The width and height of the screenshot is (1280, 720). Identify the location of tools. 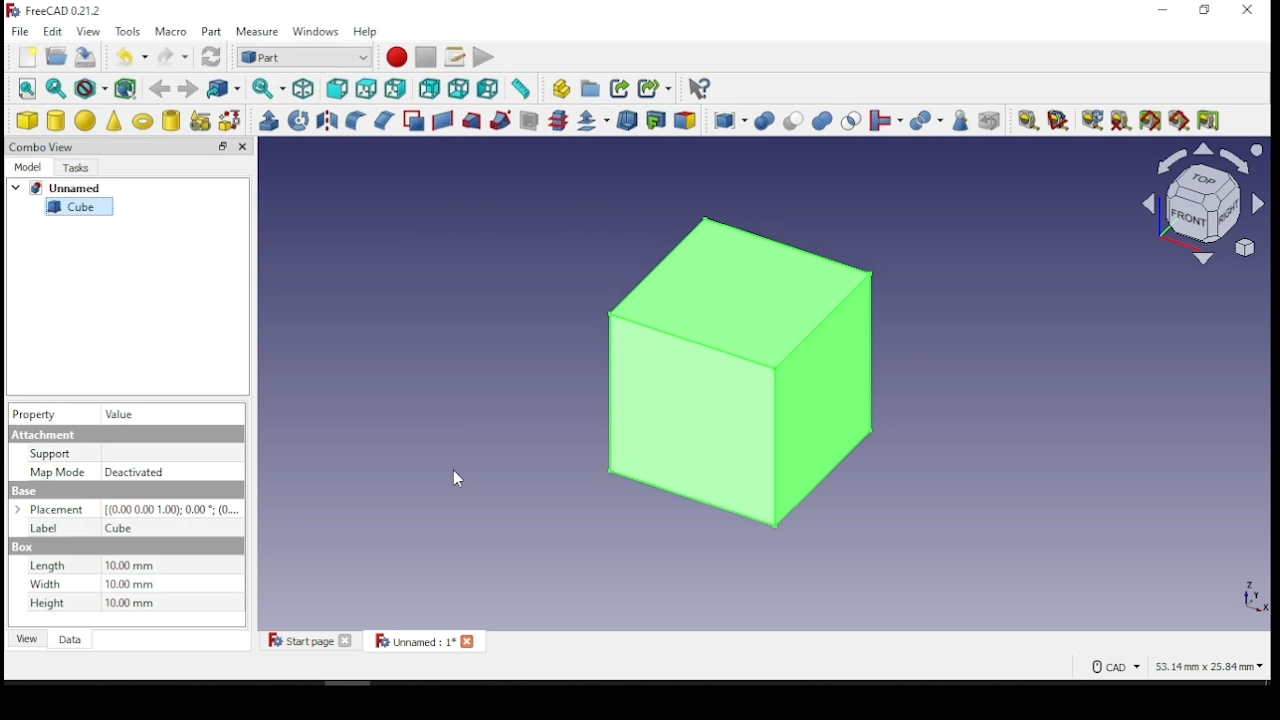
(130, 32).